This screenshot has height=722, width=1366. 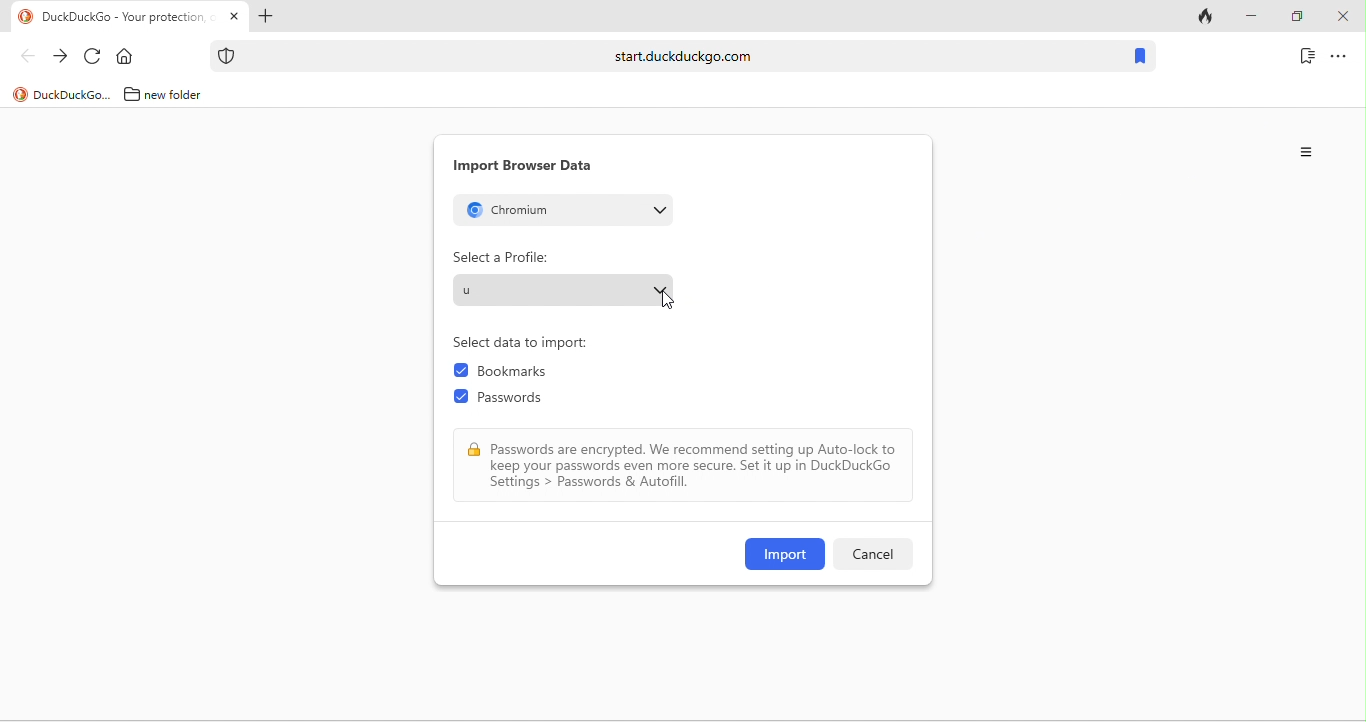 What do you see at coordinates (521, 373) in the screenshot?
I see `bookmarks` at bounding box center [521, 373].